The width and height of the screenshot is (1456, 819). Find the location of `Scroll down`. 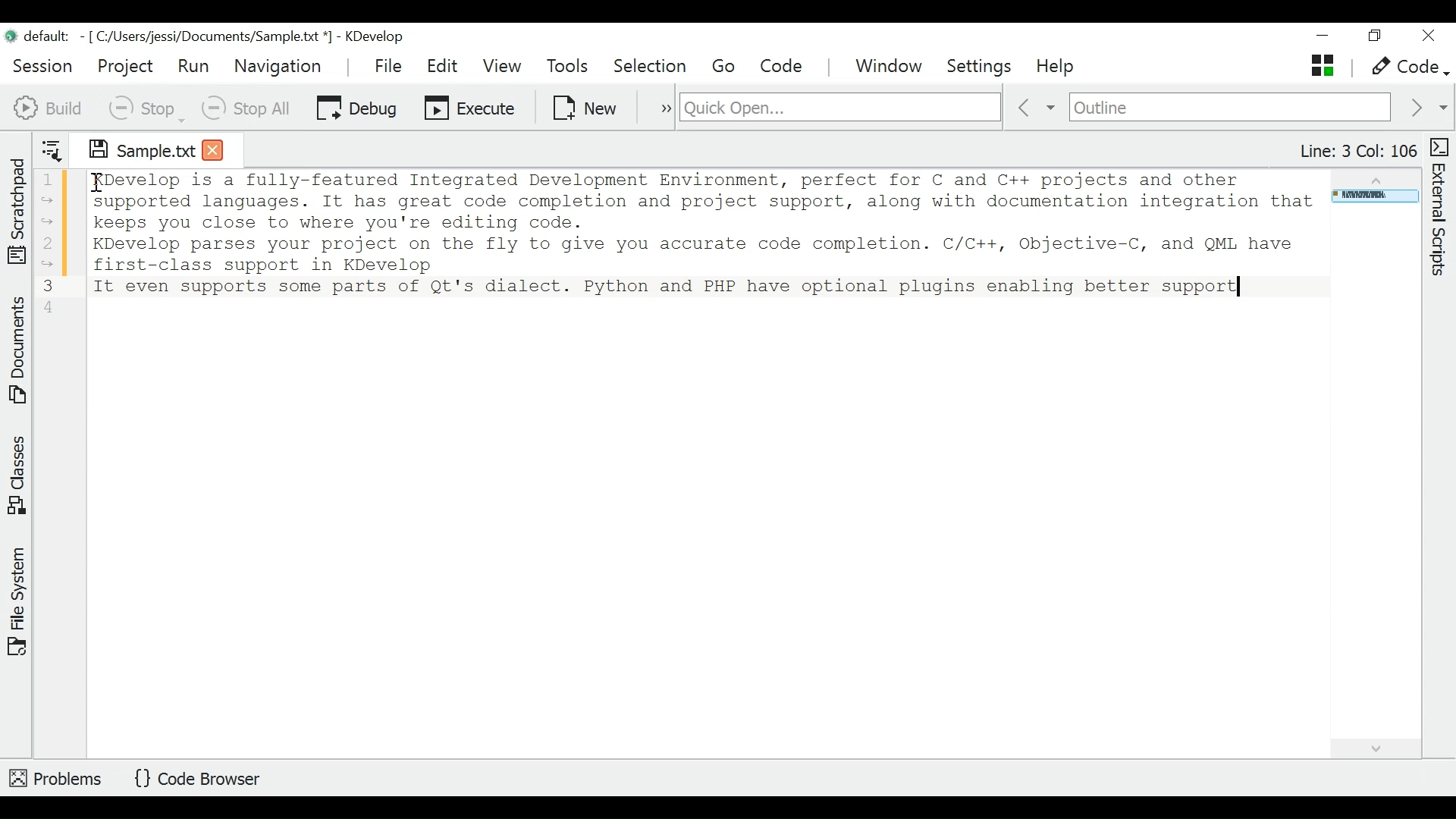

Scroll down is located at coordinates (1377, 746).